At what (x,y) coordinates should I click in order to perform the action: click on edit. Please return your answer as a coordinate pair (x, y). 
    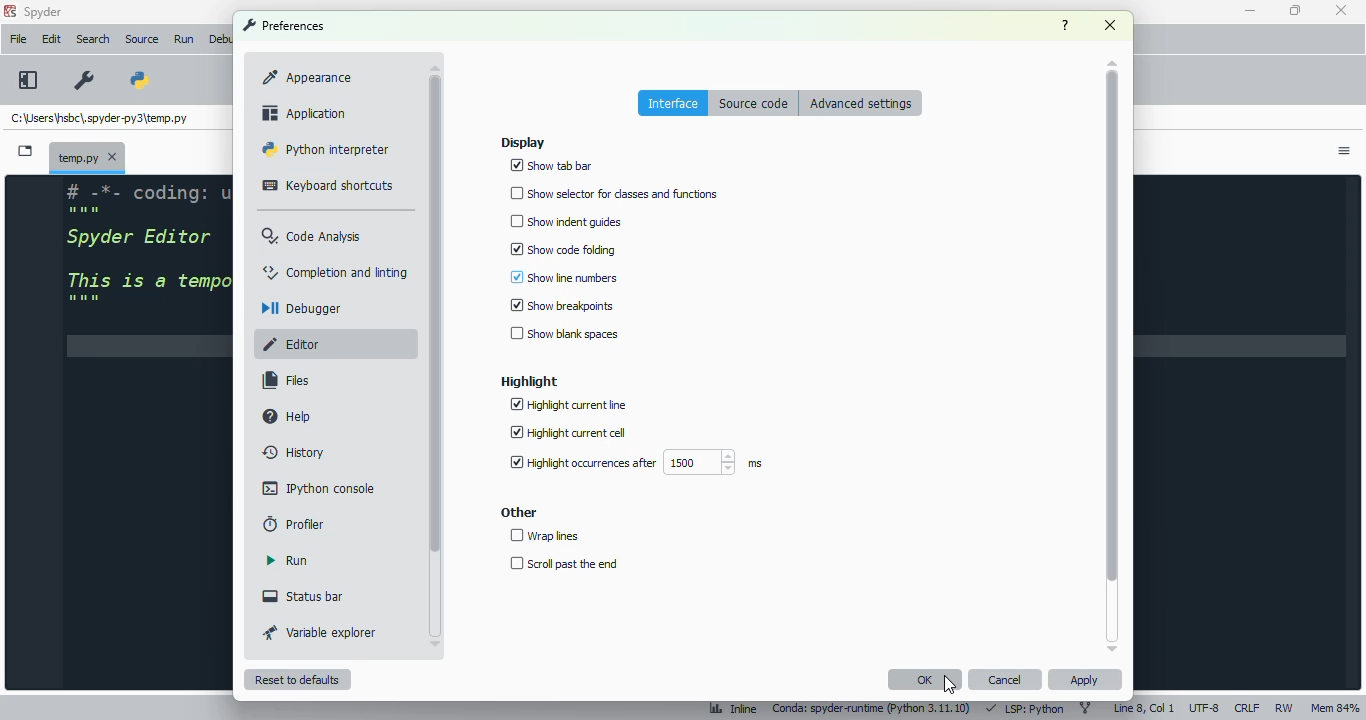
    Looking at the image, I should click on (51, 39).